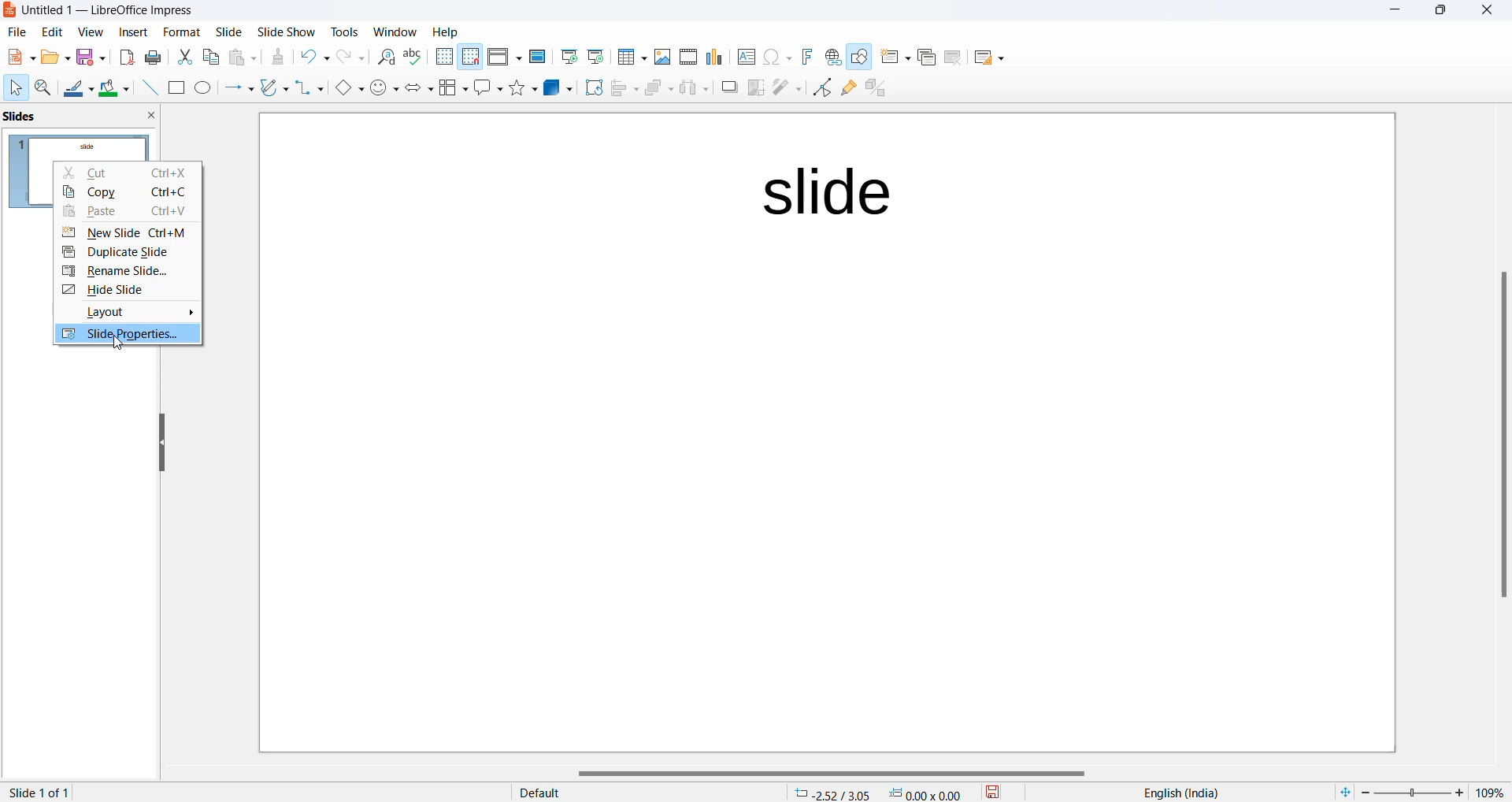 Image resolution: width=1512 pixels, height=802 pixels. I want to click on shadow, so click(729, 87).